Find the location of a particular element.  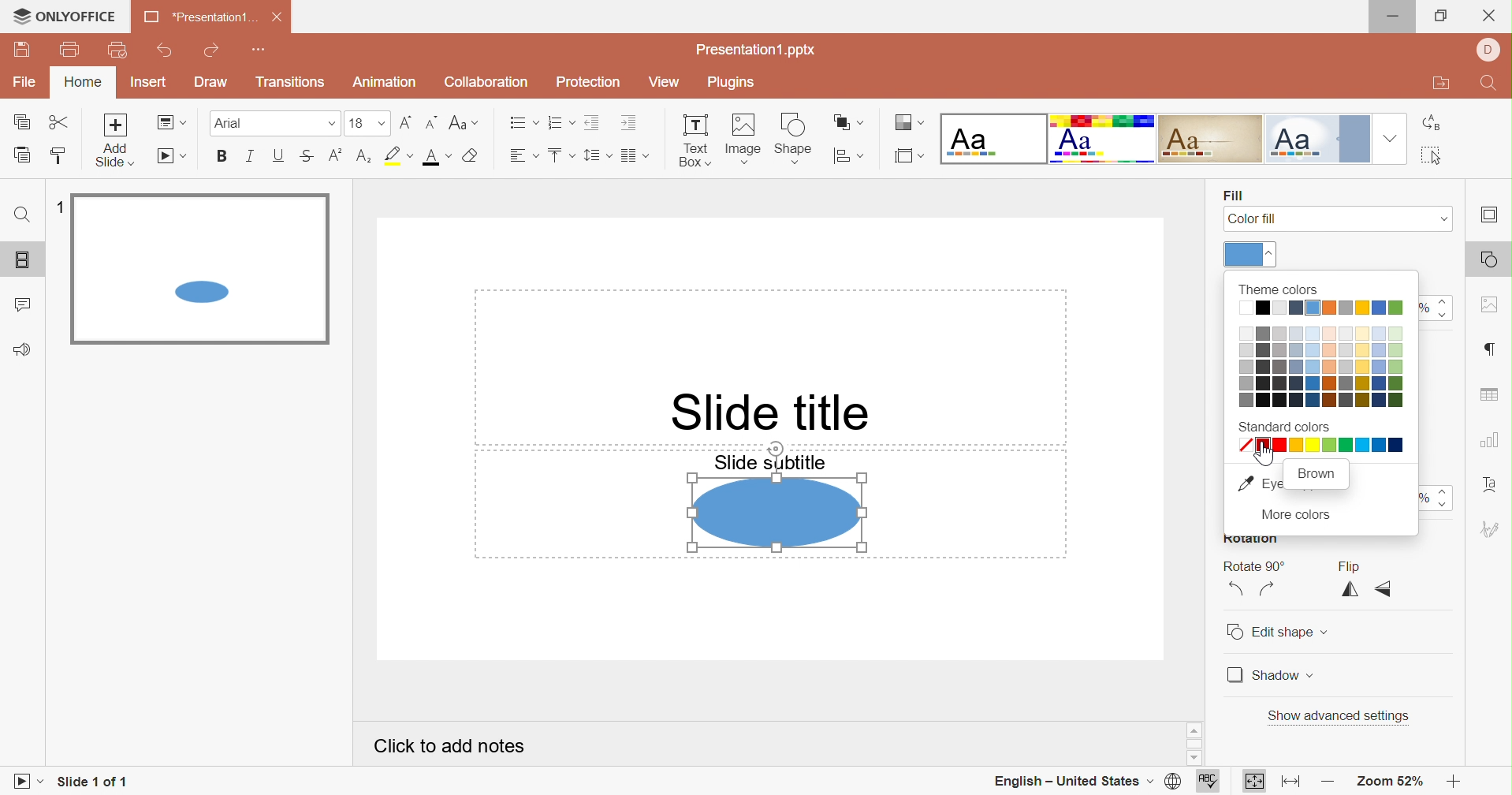

Select slide size is located at coordinates (909, 156).